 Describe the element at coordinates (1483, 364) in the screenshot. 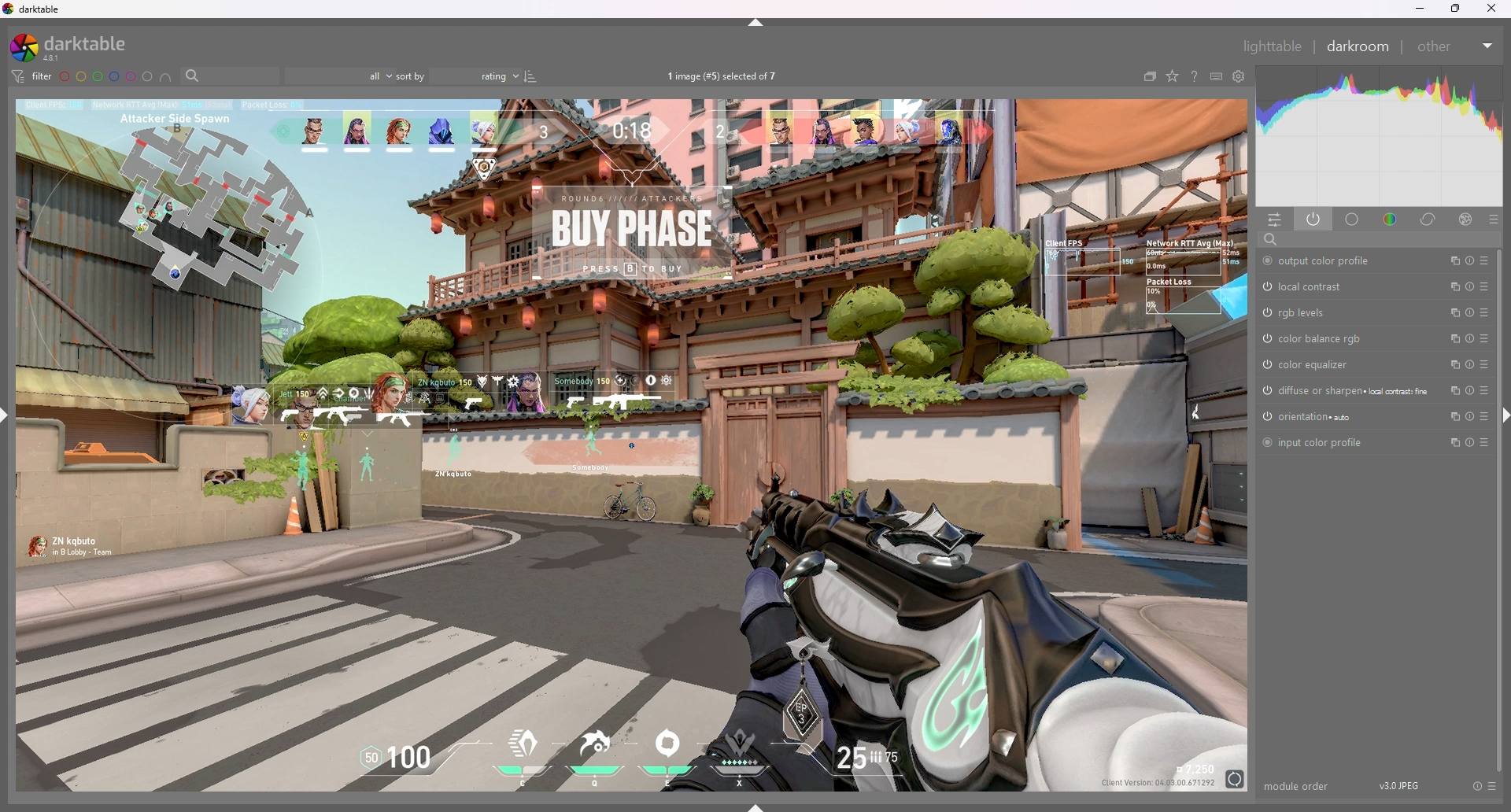

I see `presets` at that location.